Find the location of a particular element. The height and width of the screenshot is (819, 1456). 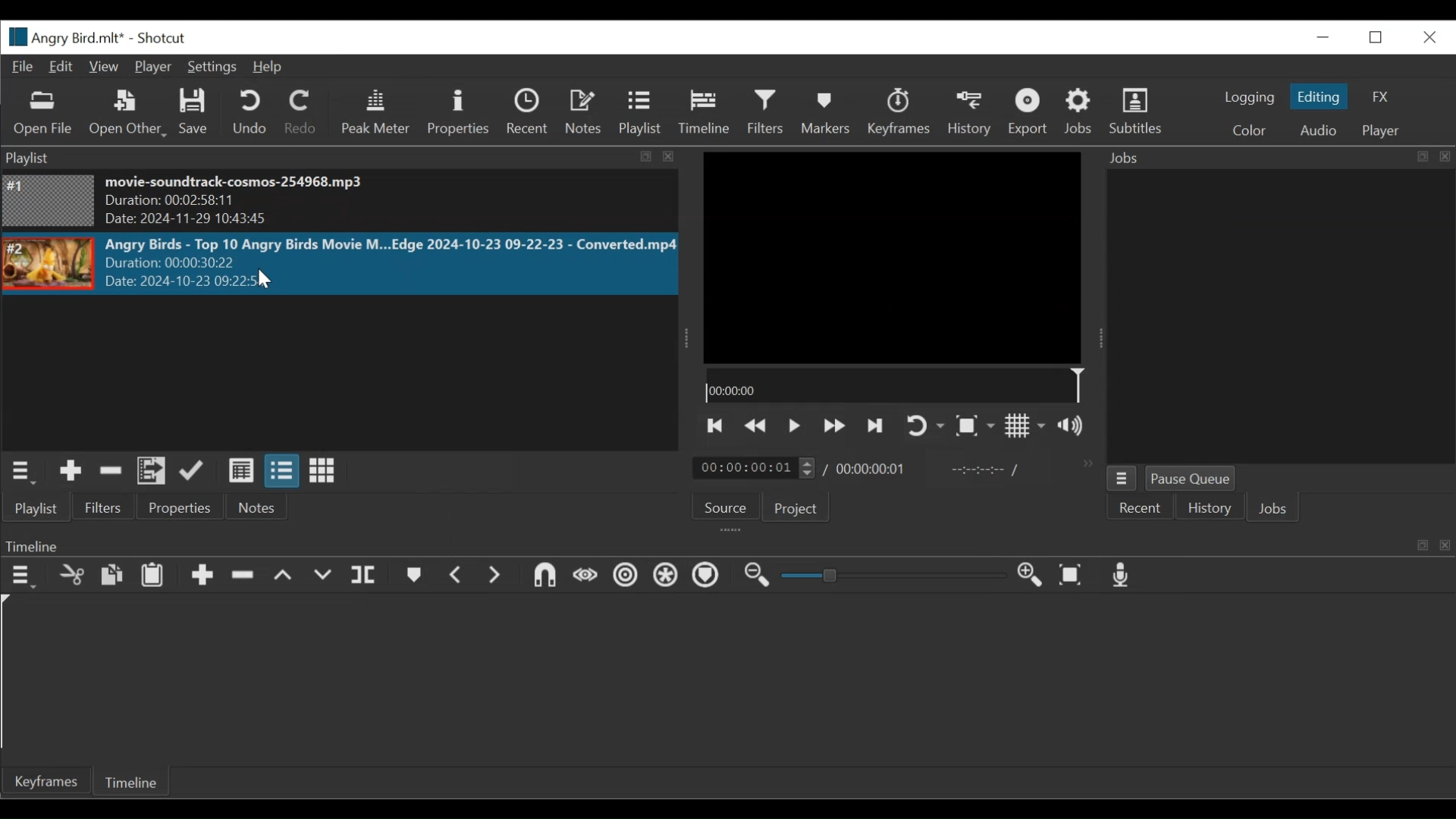

File Name is located at coordinates (65, 36).